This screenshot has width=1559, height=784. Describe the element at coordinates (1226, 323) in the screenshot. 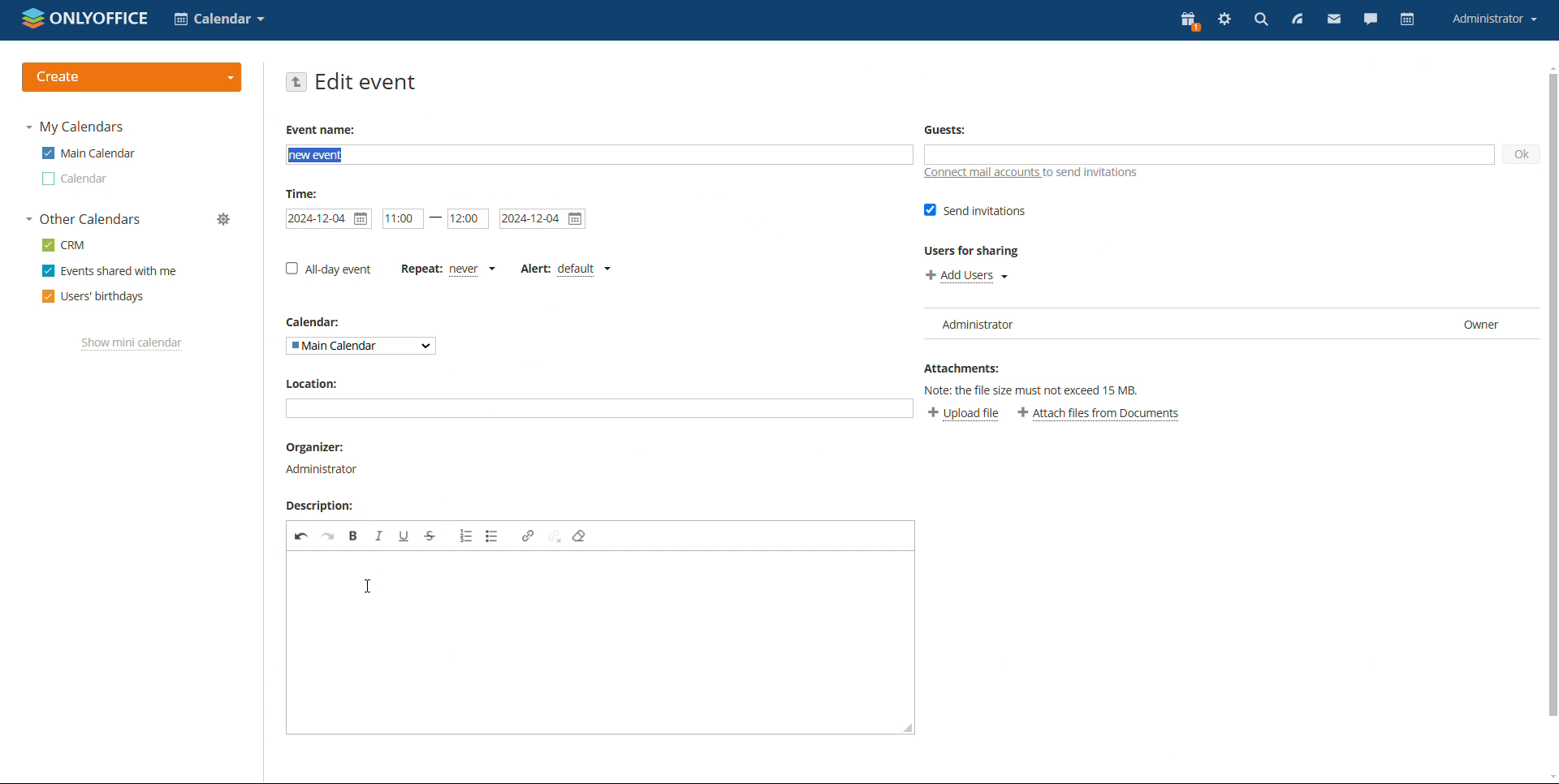

I see `user list` at that location.